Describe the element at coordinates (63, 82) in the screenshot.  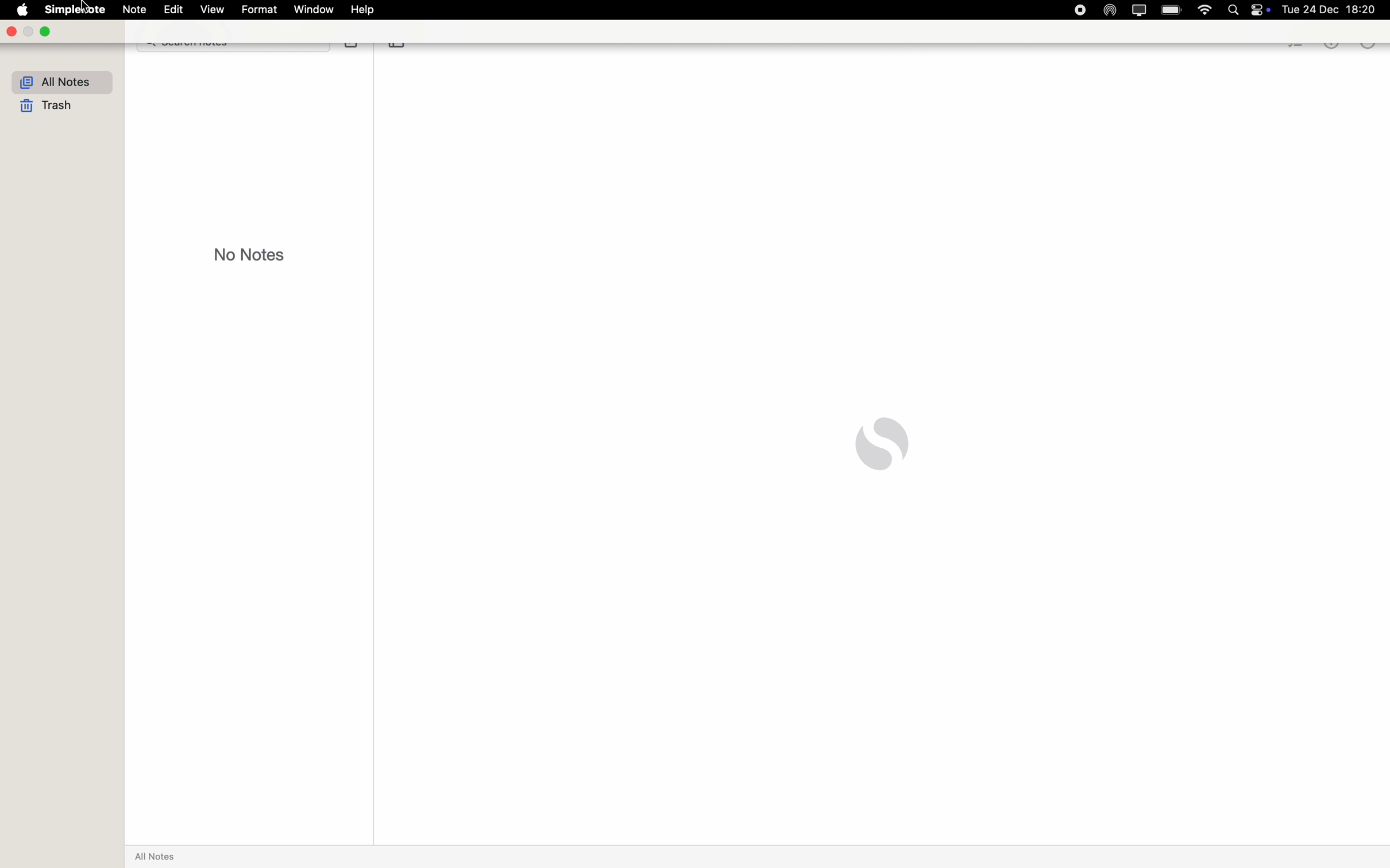
I see `all notes` at that location.